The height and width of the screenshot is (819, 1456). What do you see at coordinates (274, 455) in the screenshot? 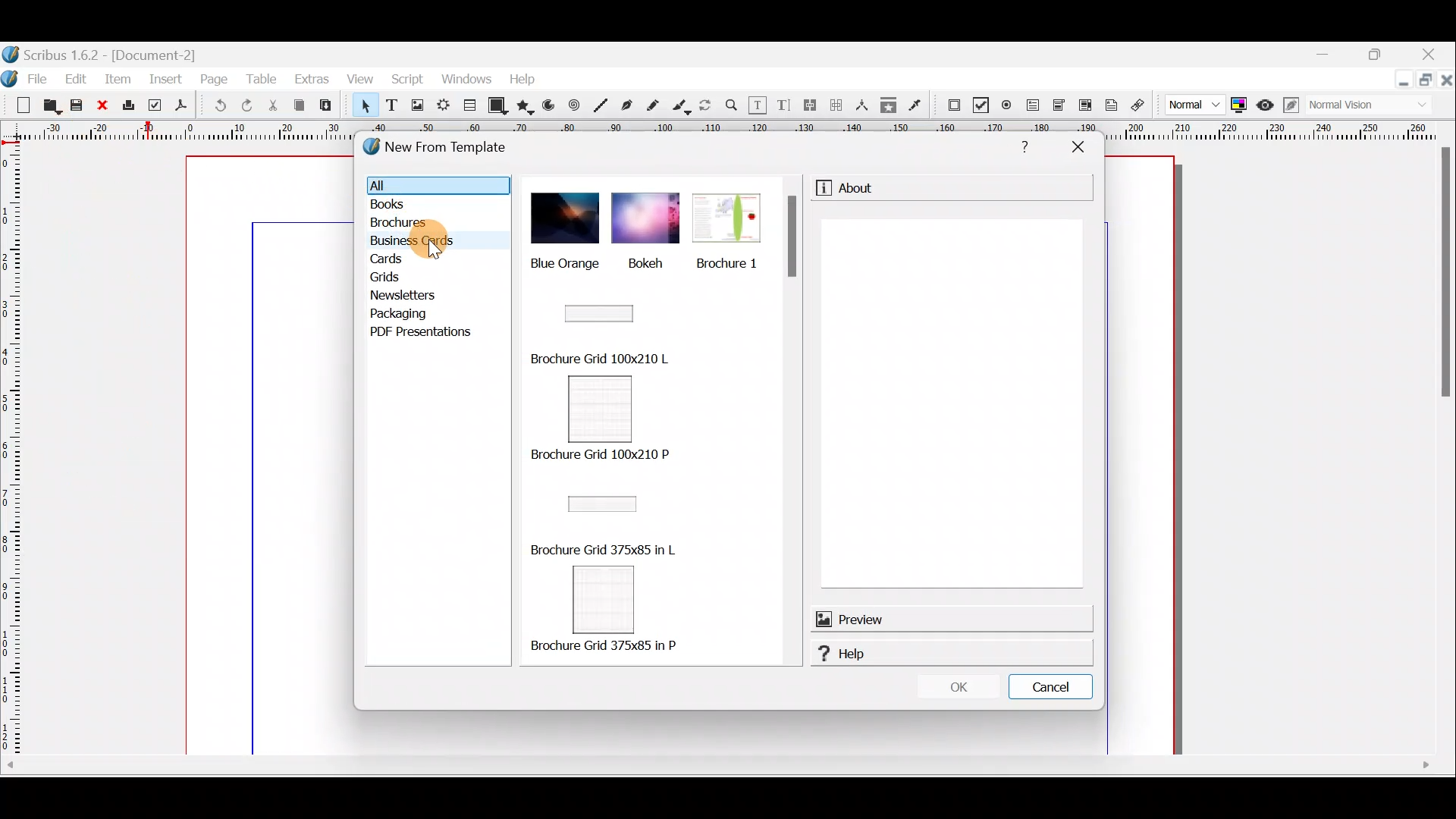
I see `Canvas` at bounding box center [274, 455].